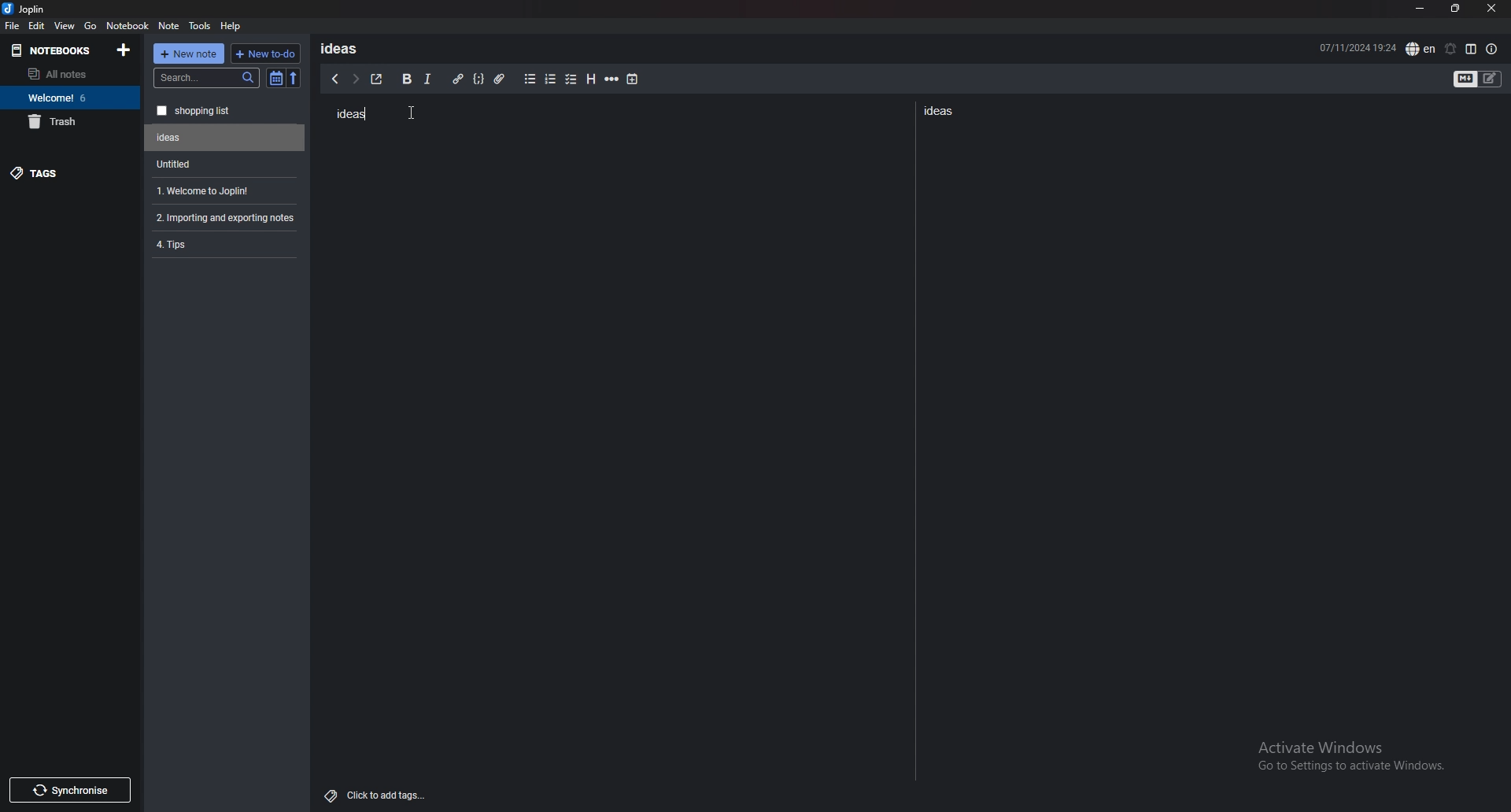  What do you see at coordinates (1450, 49) in the screenshot?
I see `set alarm` at bounding box center [1450, 49].